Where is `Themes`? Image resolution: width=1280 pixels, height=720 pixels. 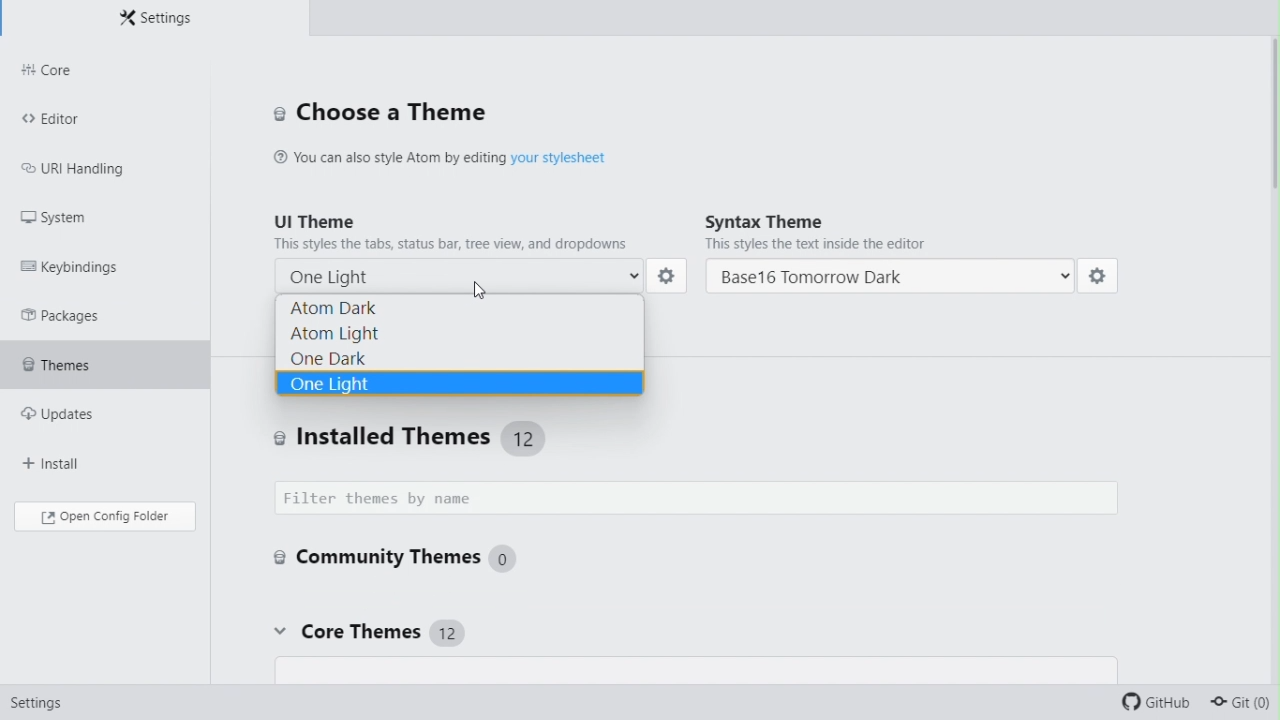
Themes is located at coordinates (105, 359).